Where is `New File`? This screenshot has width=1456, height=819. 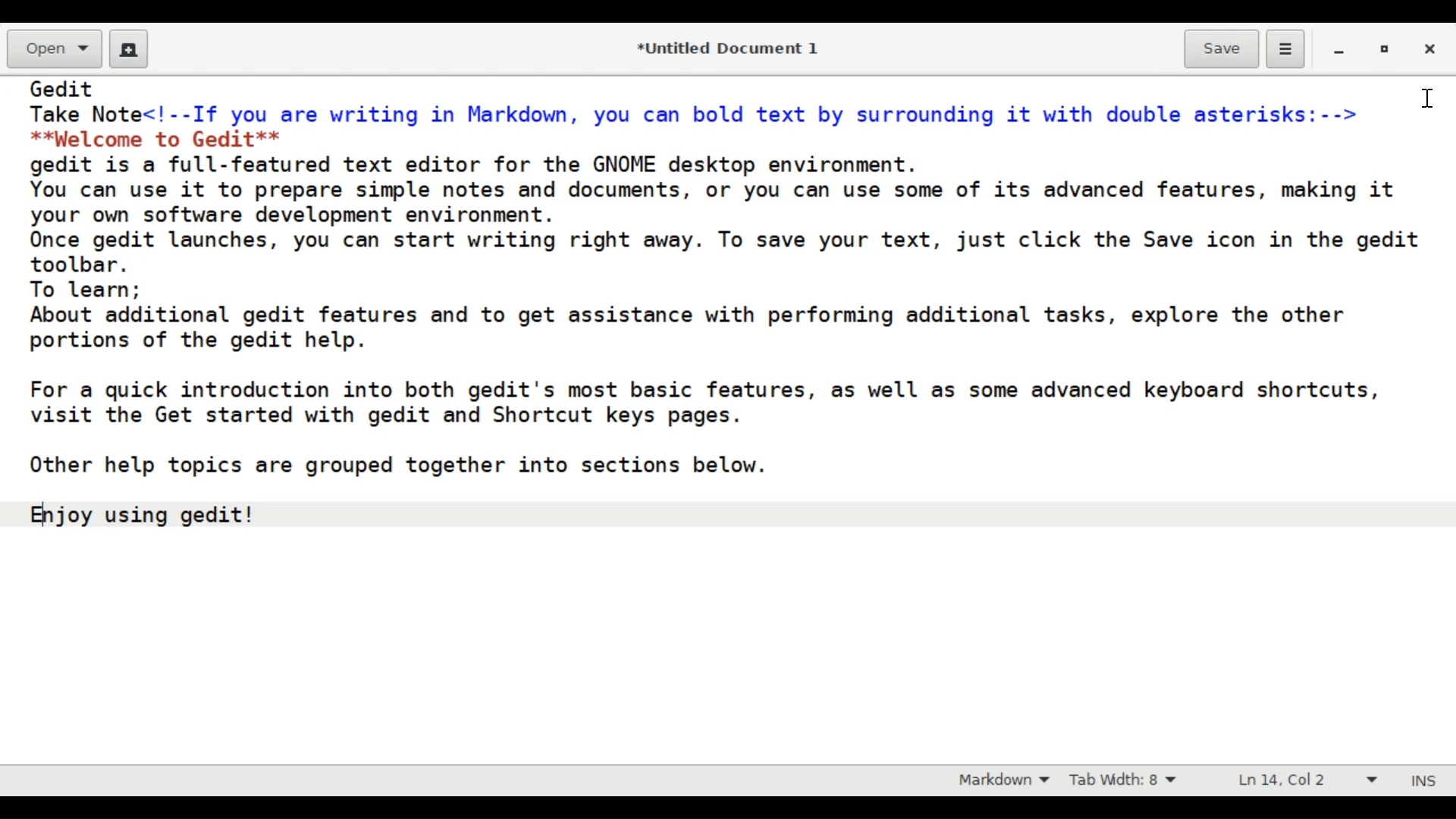
New File is located at coordinates (128, 48).